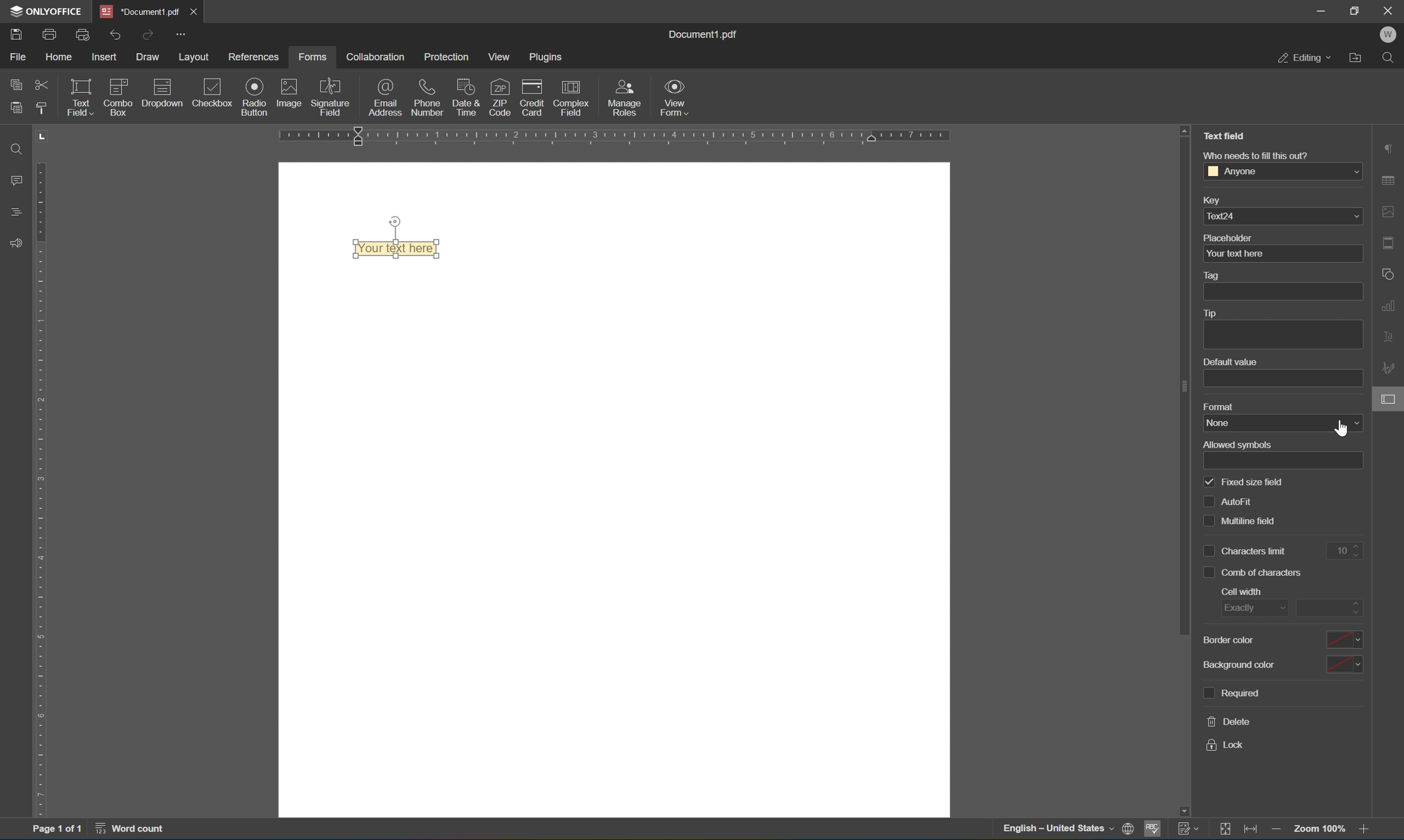 The height and width of the screenshot is (840, 1404). Describe the element at coordinates (16, 148) in the screenshot. I see `find` at that location.